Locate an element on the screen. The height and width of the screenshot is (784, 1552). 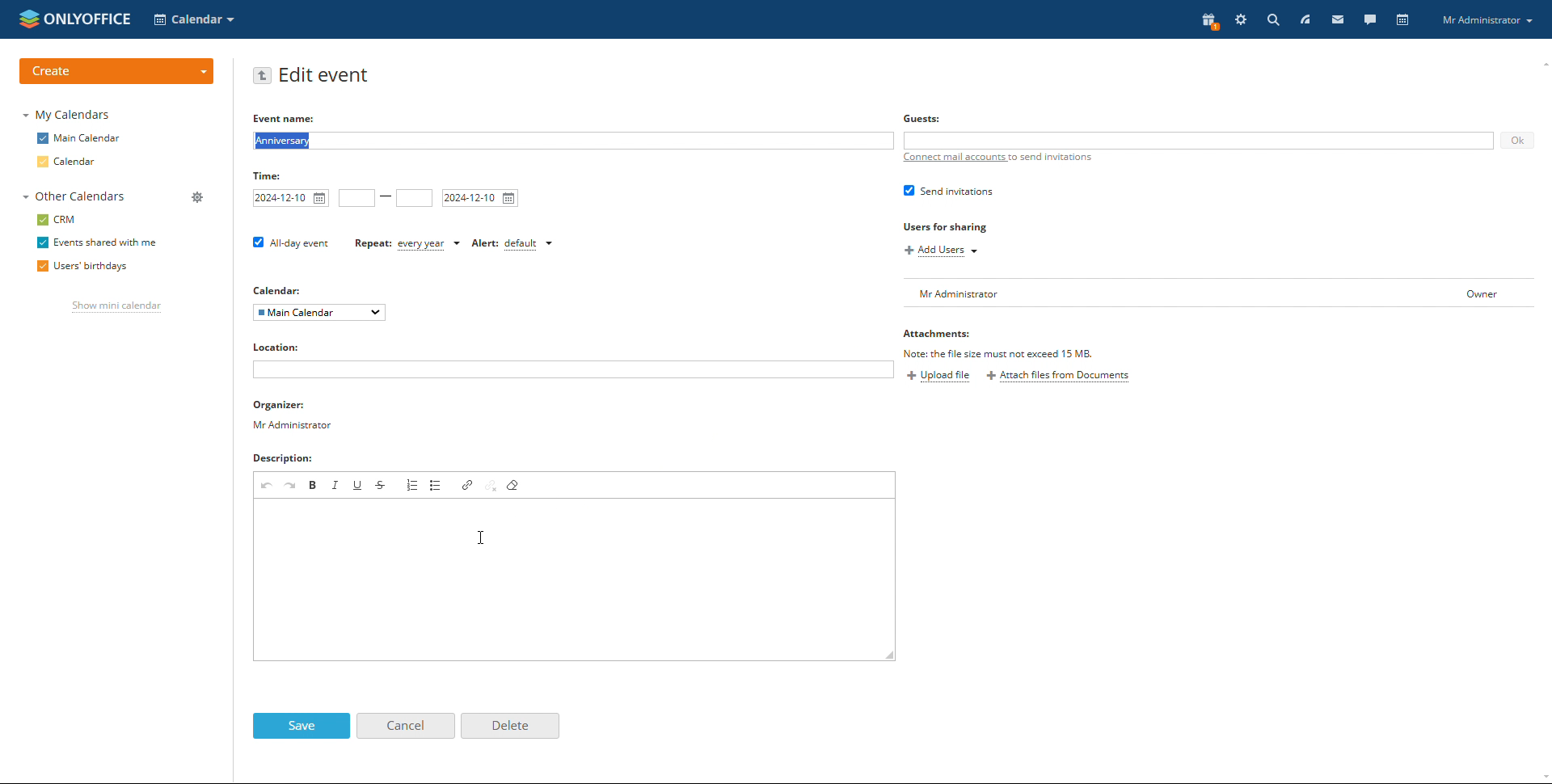
select application is located at coordinates (196, 19).